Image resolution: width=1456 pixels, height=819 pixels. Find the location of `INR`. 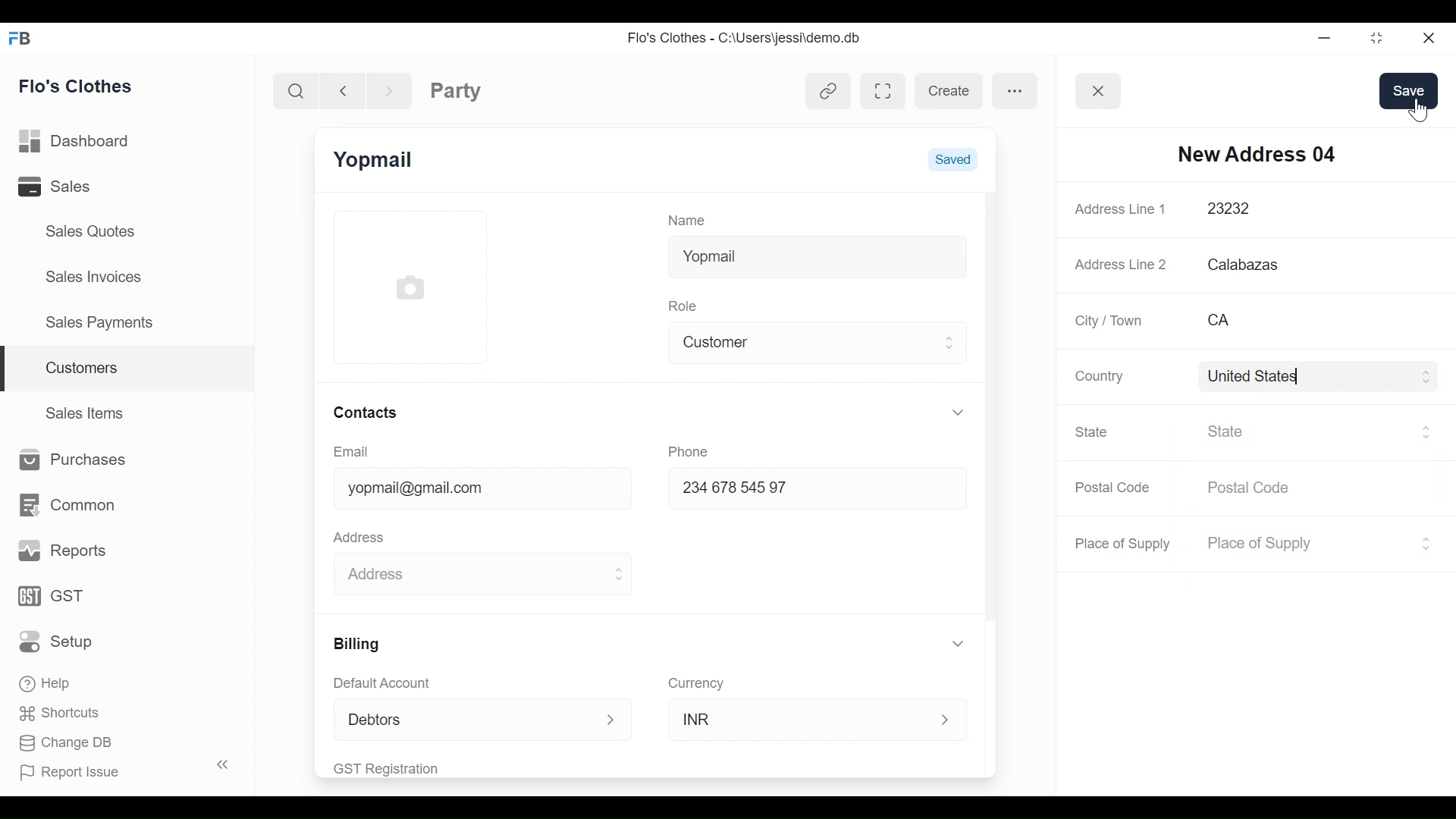

INR is located at coordinates (801, 718).